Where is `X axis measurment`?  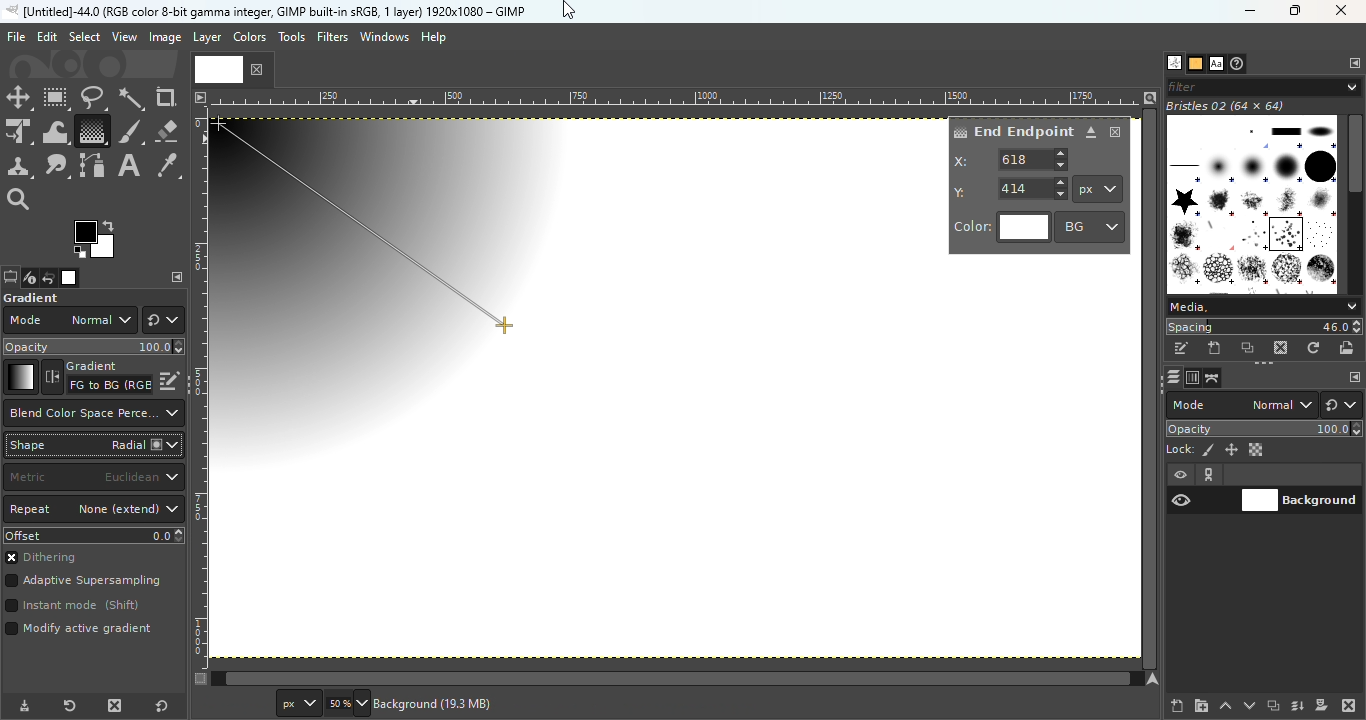
X axis measurment is located at coordinates (1012, 159).